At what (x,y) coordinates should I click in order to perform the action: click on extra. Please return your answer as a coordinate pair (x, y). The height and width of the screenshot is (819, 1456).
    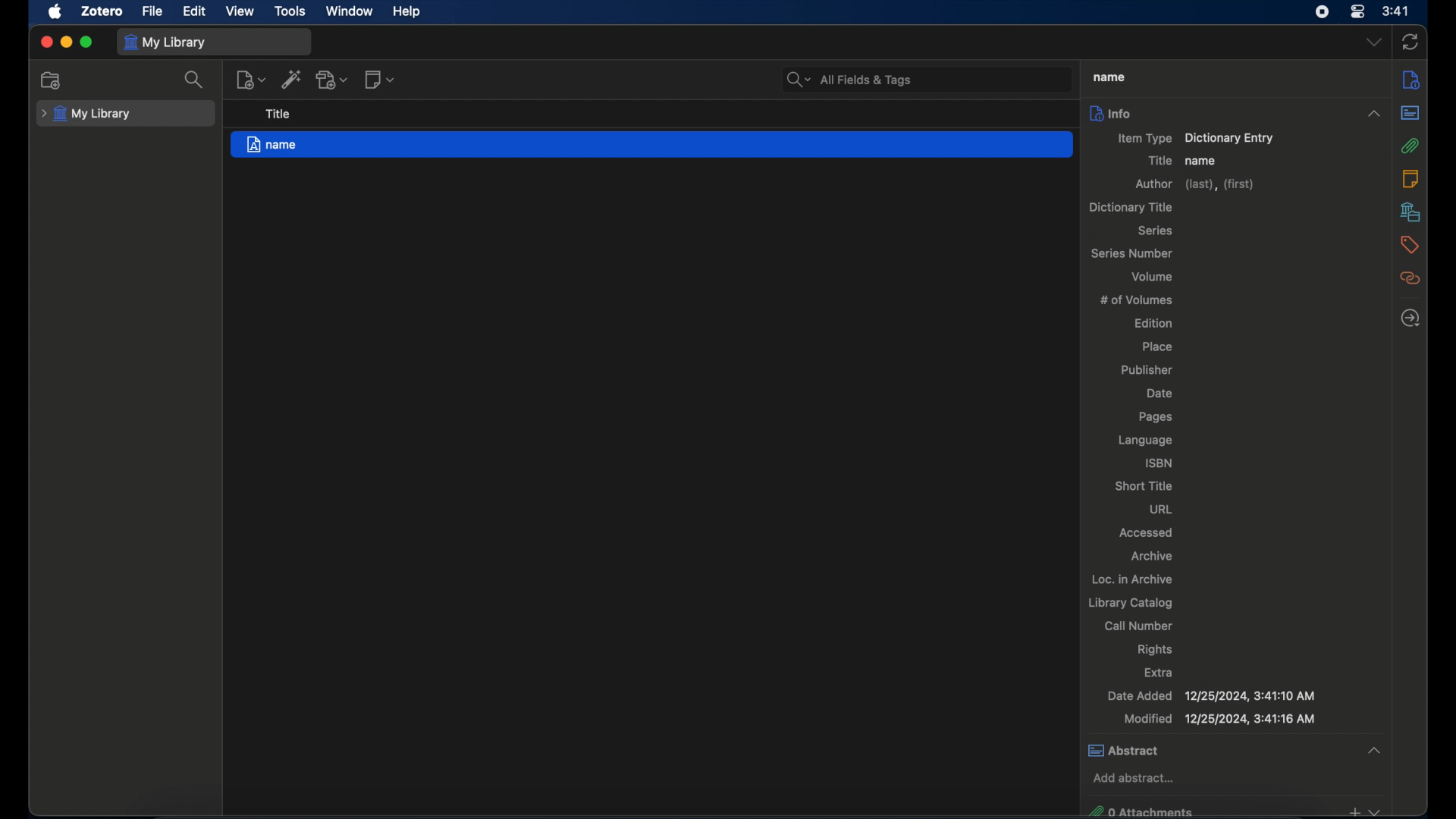
    Looking at the image, I should click on (1160, 672).